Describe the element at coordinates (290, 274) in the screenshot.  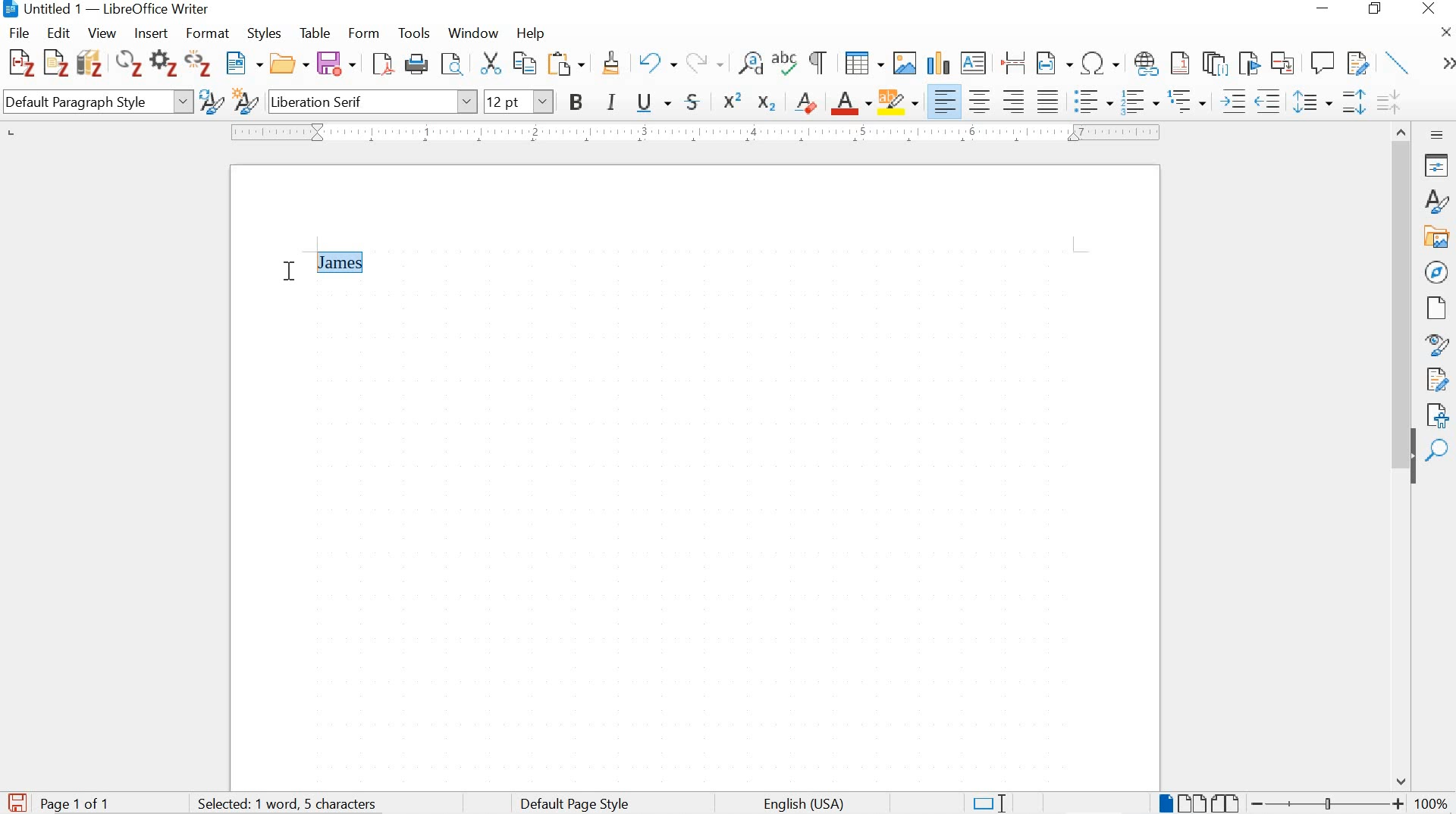
I see `cursor position at drag to` at that location.